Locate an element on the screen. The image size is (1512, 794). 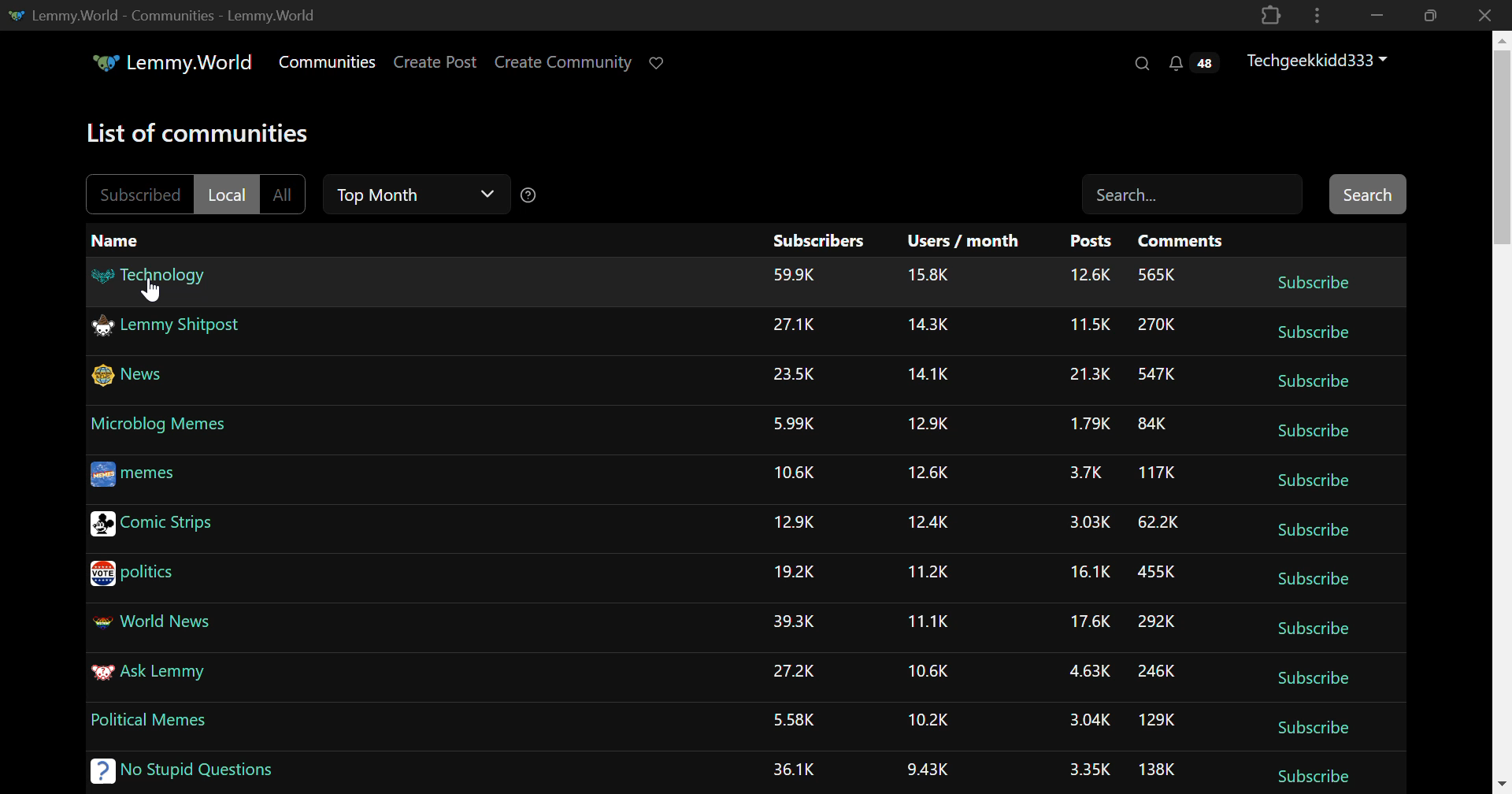
16.1K is located at coordinates (1085, 573).